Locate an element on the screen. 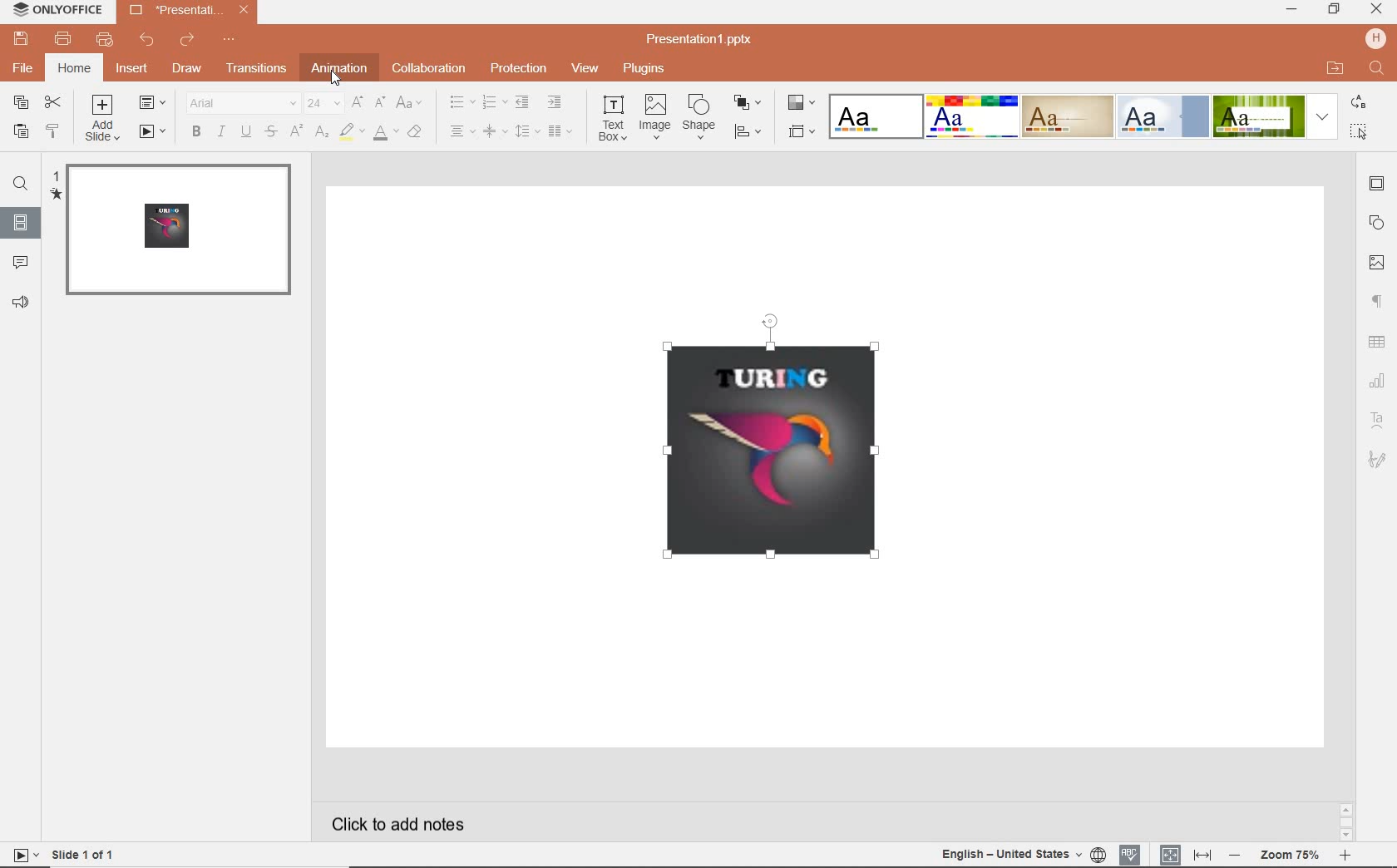 This screenshot has width=1397, height=868. subscript is located at coordinates (322, 133).